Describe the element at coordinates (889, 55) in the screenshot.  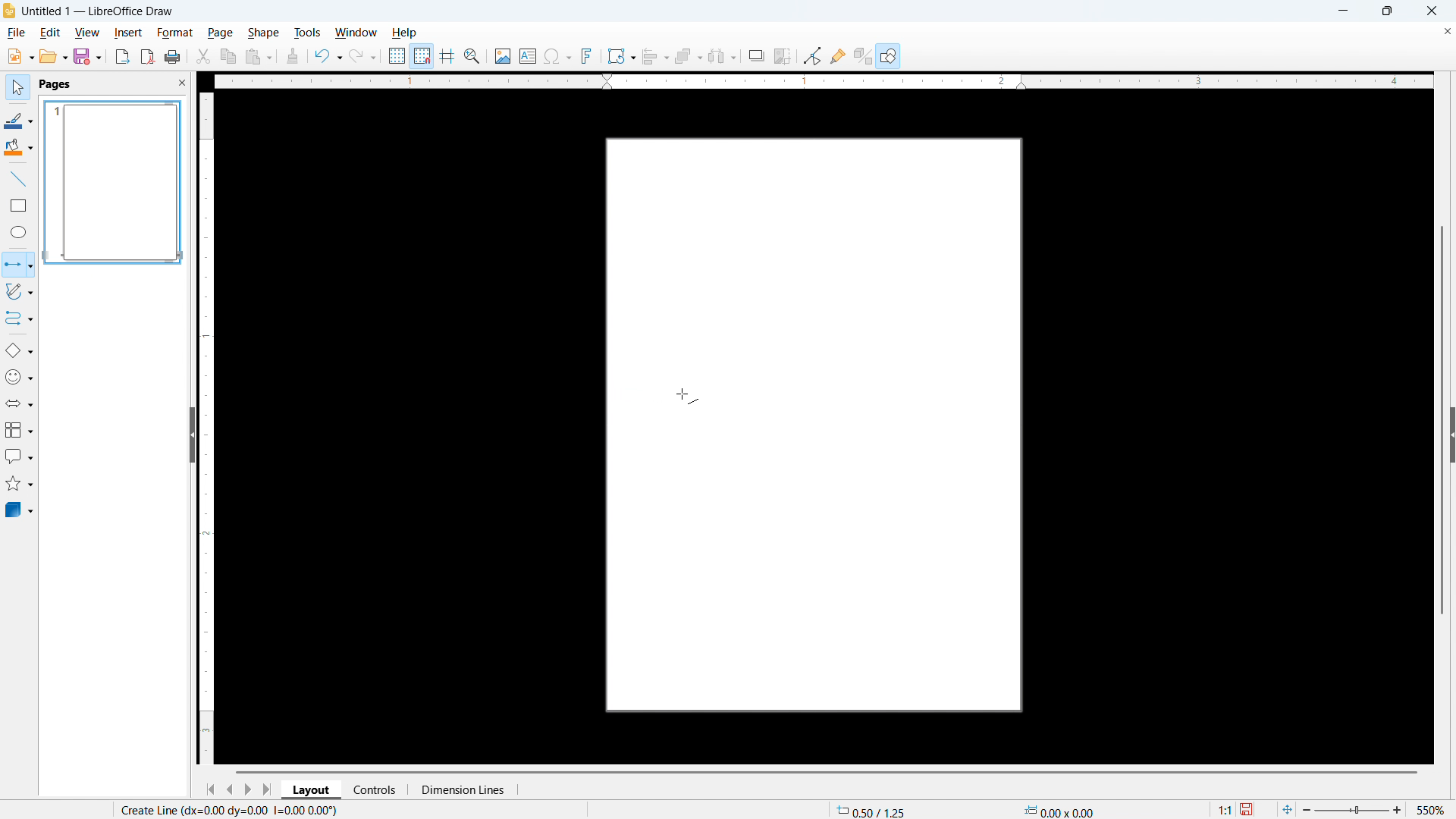
I see `Help ` at that location.